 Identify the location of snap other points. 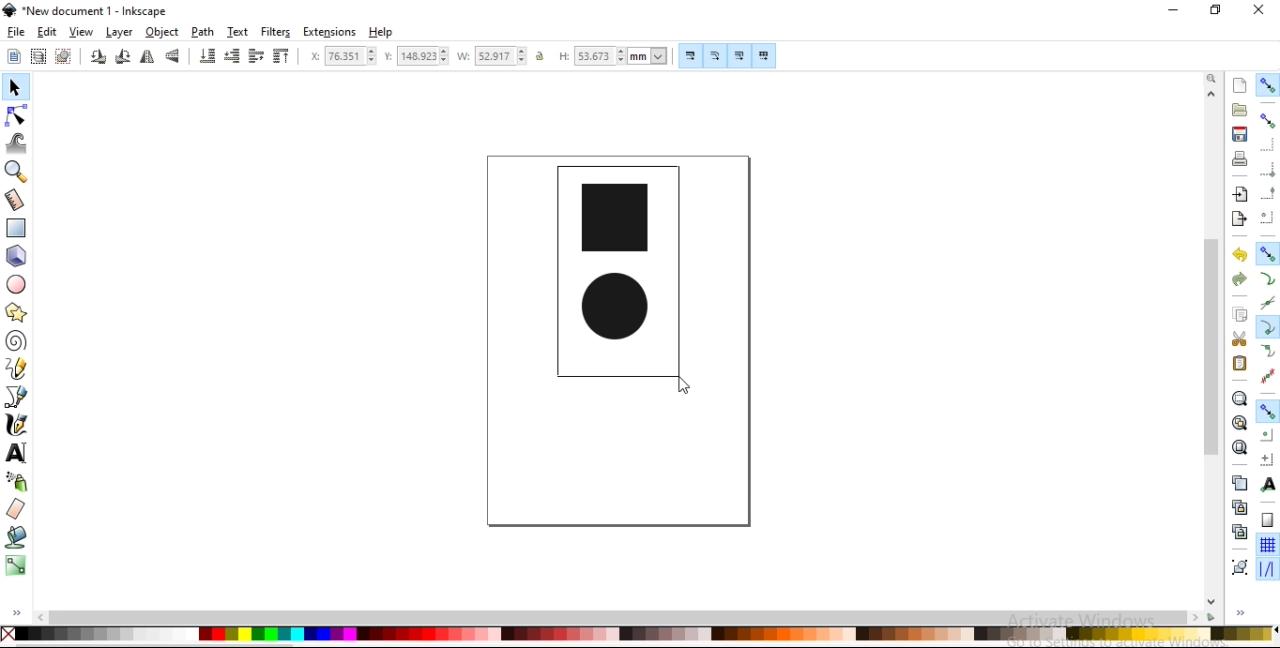
(1268, 411).